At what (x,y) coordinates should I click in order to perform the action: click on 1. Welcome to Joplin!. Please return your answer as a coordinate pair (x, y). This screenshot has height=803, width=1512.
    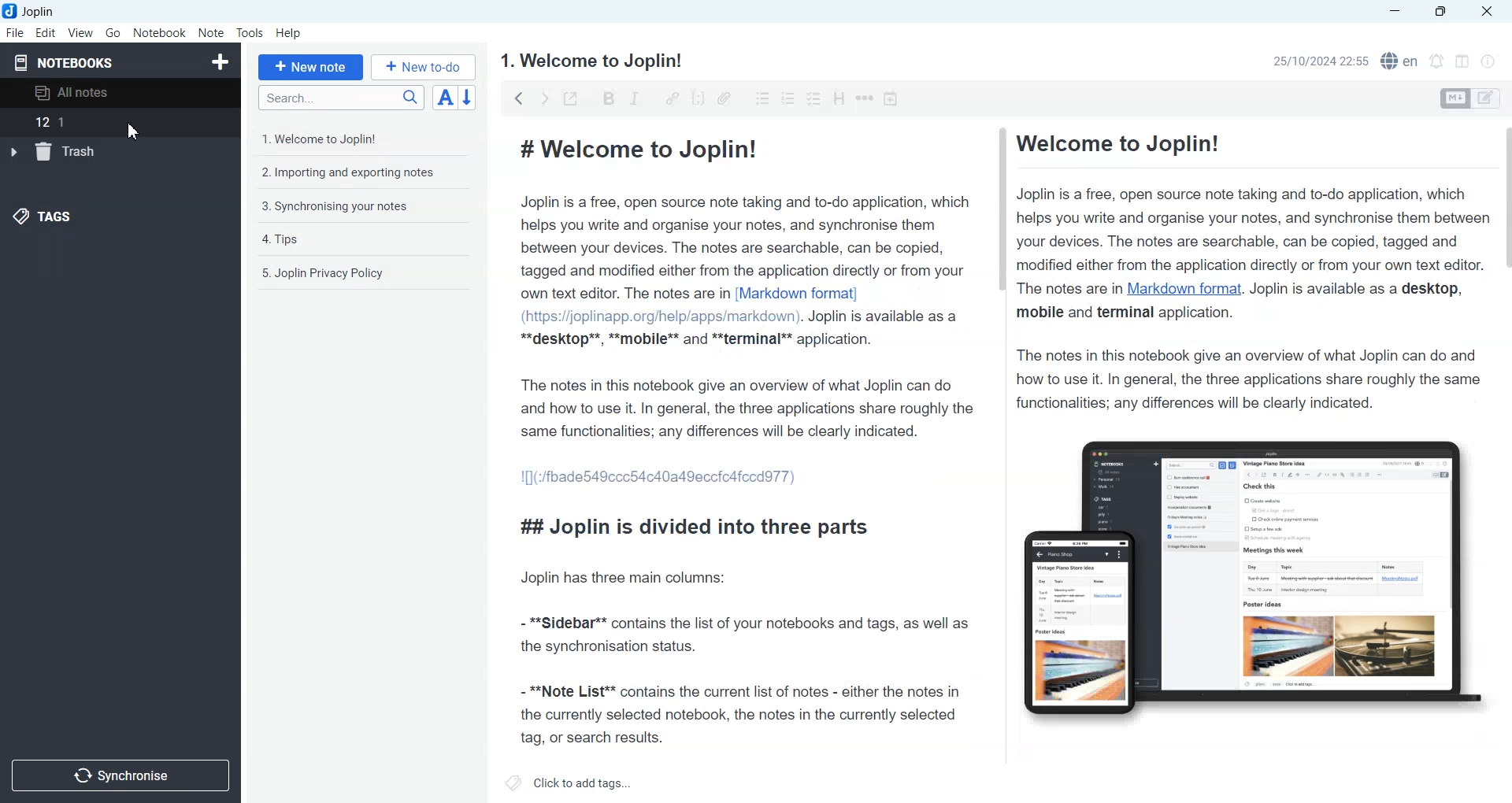
    Looking at the image, I should click on (590, 61).